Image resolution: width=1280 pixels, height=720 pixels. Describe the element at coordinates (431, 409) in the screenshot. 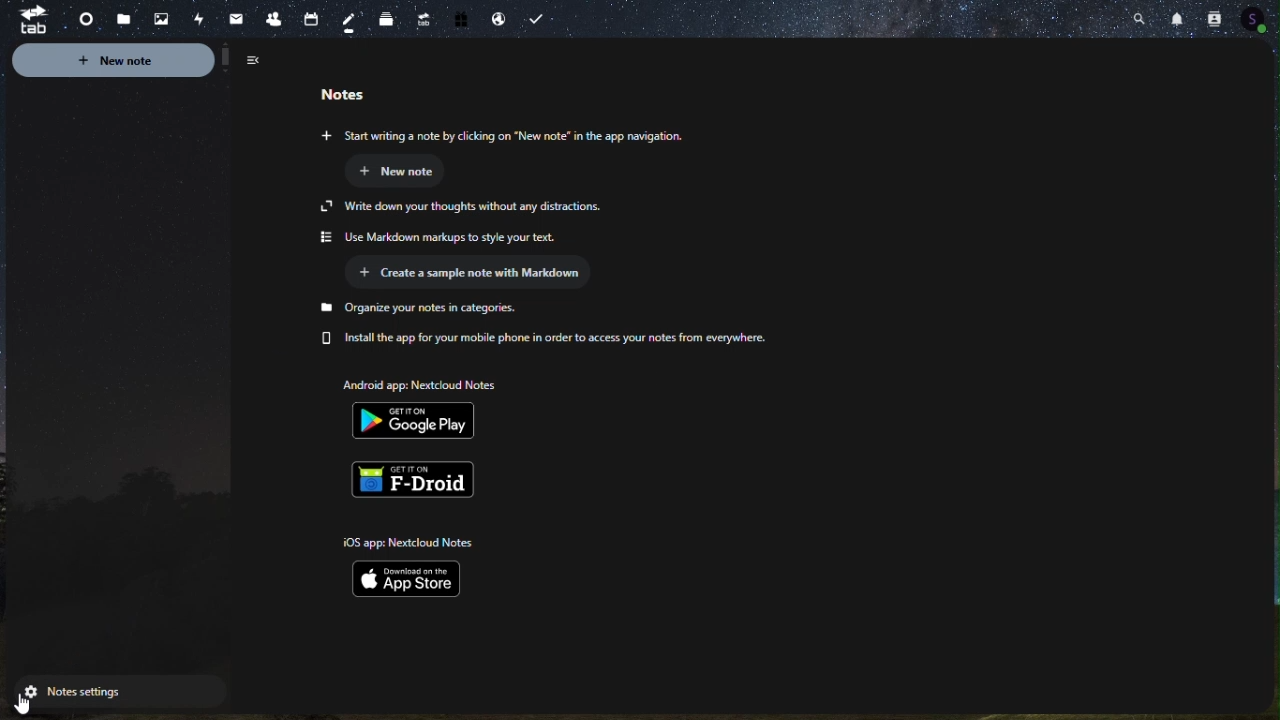

I see `Play Store` at that location.